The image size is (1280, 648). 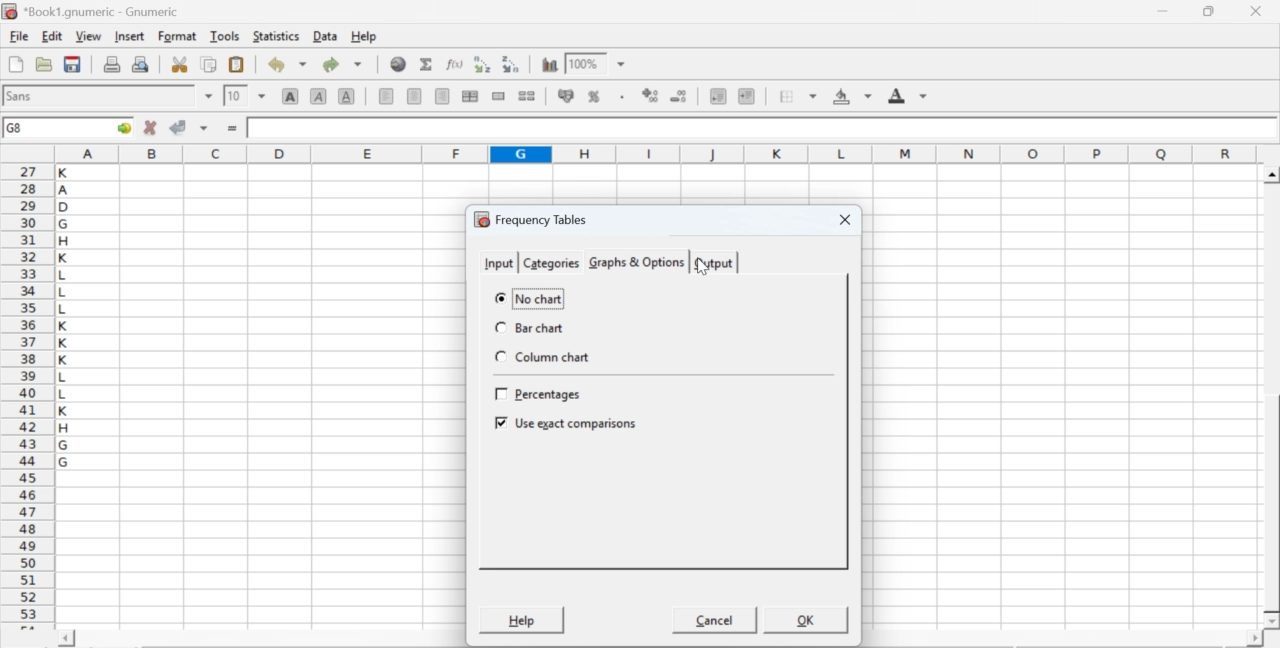 What do you see at coordinates (179, 126) in the screenshot?
I see `accept changes` at bounding box center [179, 126].